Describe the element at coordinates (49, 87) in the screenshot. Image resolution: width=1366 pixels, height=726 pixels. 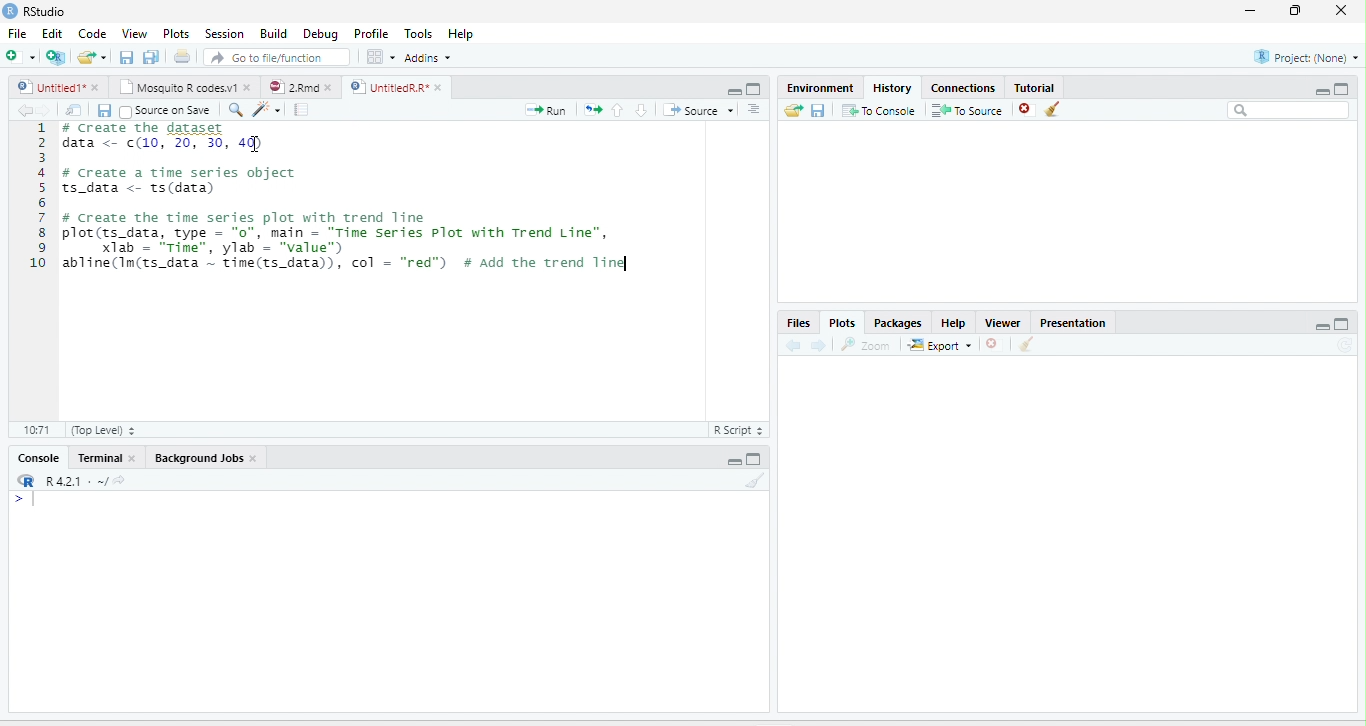
I see `Untitled1*` at that location.